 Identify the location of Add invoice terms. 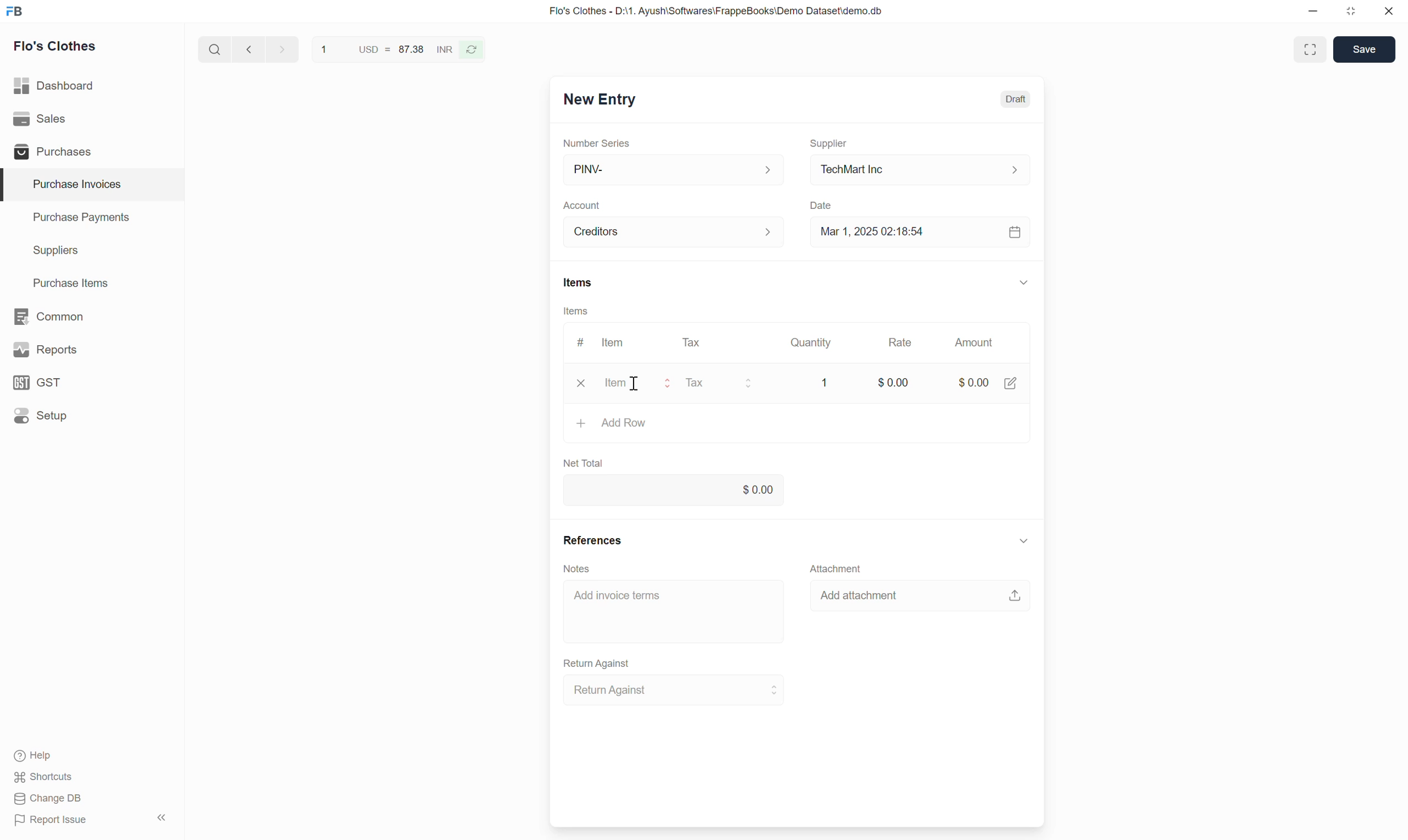
(675, 611).